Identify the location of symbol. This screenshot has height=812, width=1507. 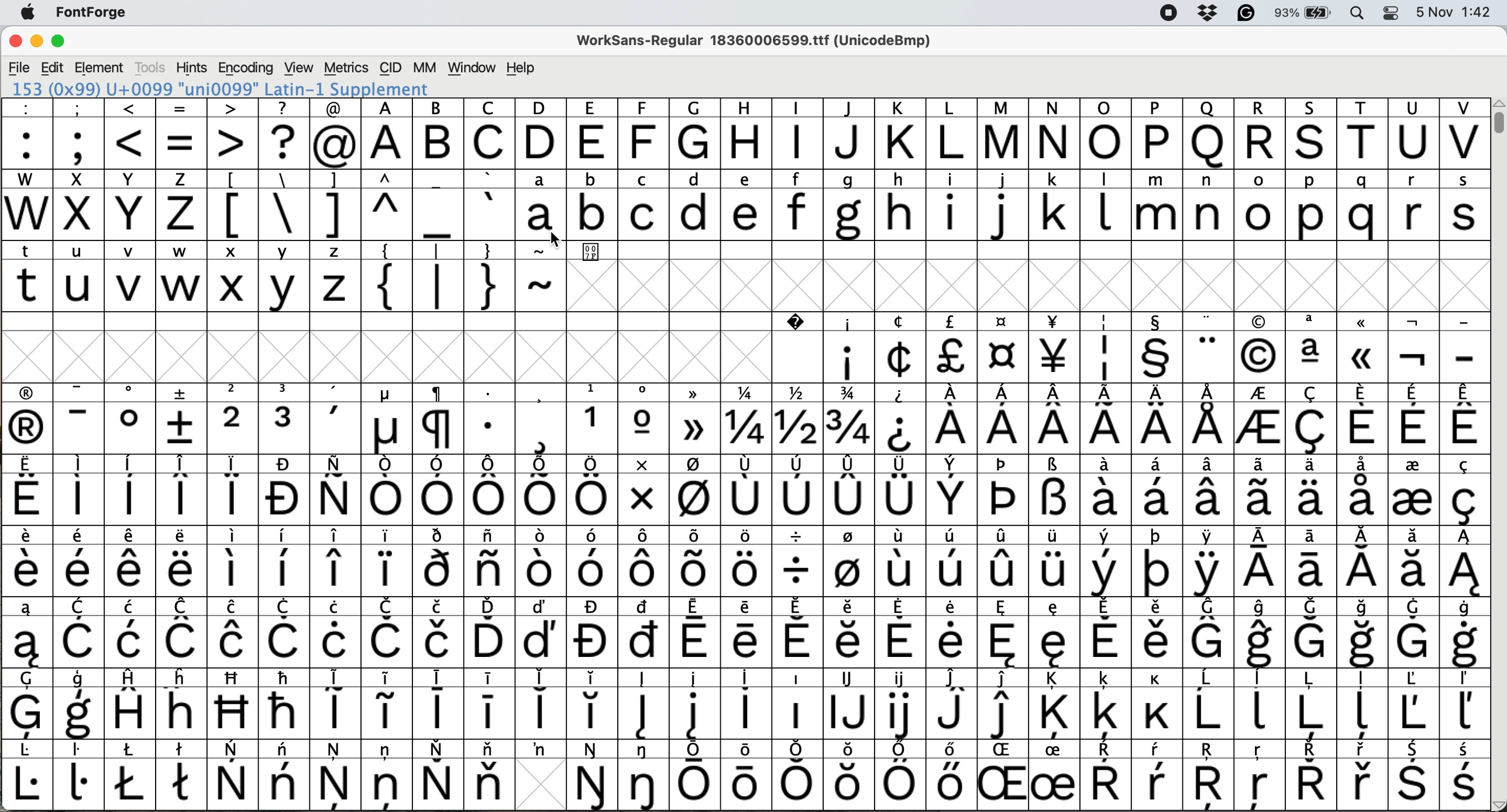
(952, 562).